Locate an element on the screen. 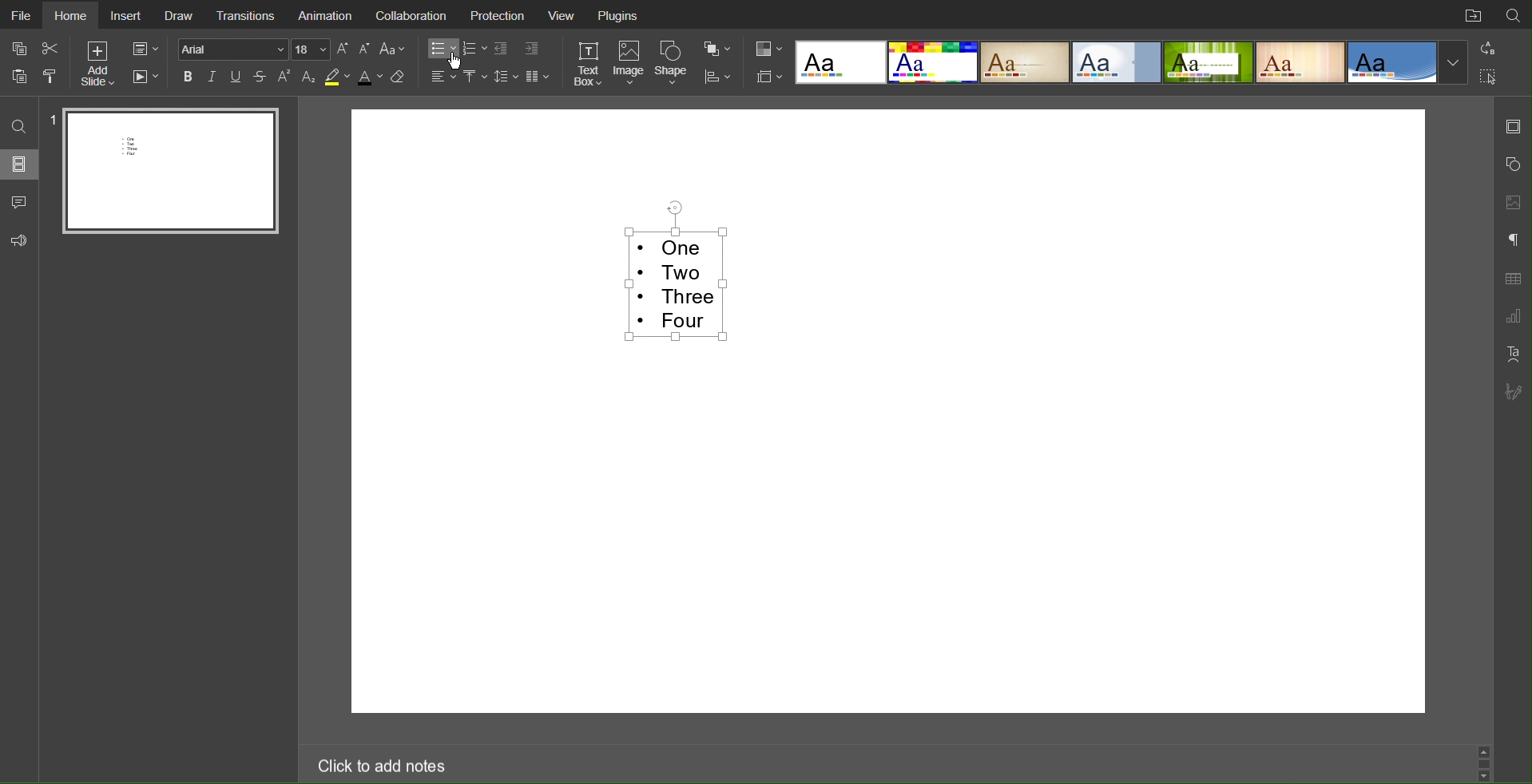 The image size is (1532, 784). Slide 1 is located at coordinates (168, 173).